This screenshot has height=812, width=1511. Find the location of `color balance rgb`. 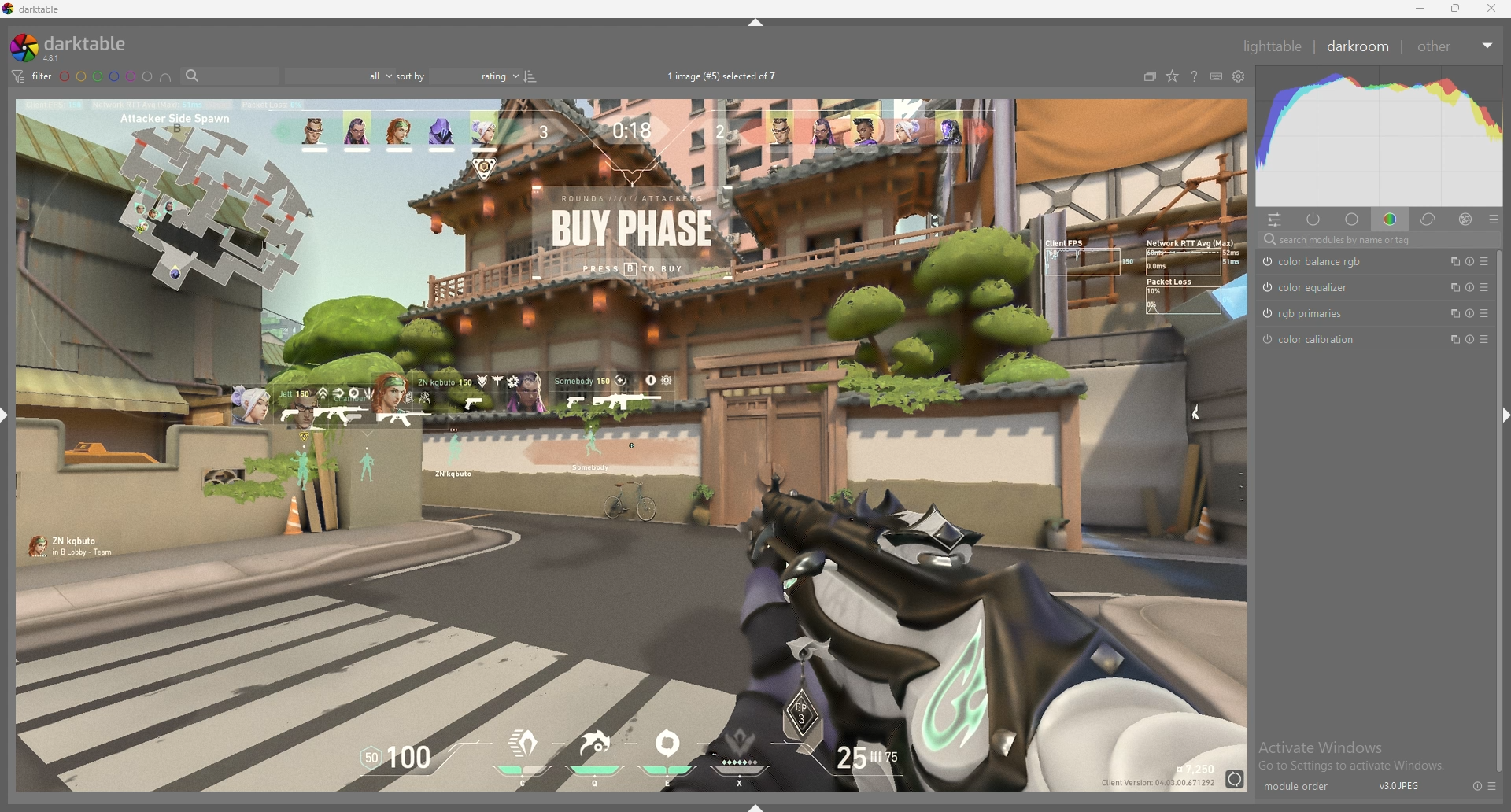

color balance rgb is located at coordinates (1330, 261).